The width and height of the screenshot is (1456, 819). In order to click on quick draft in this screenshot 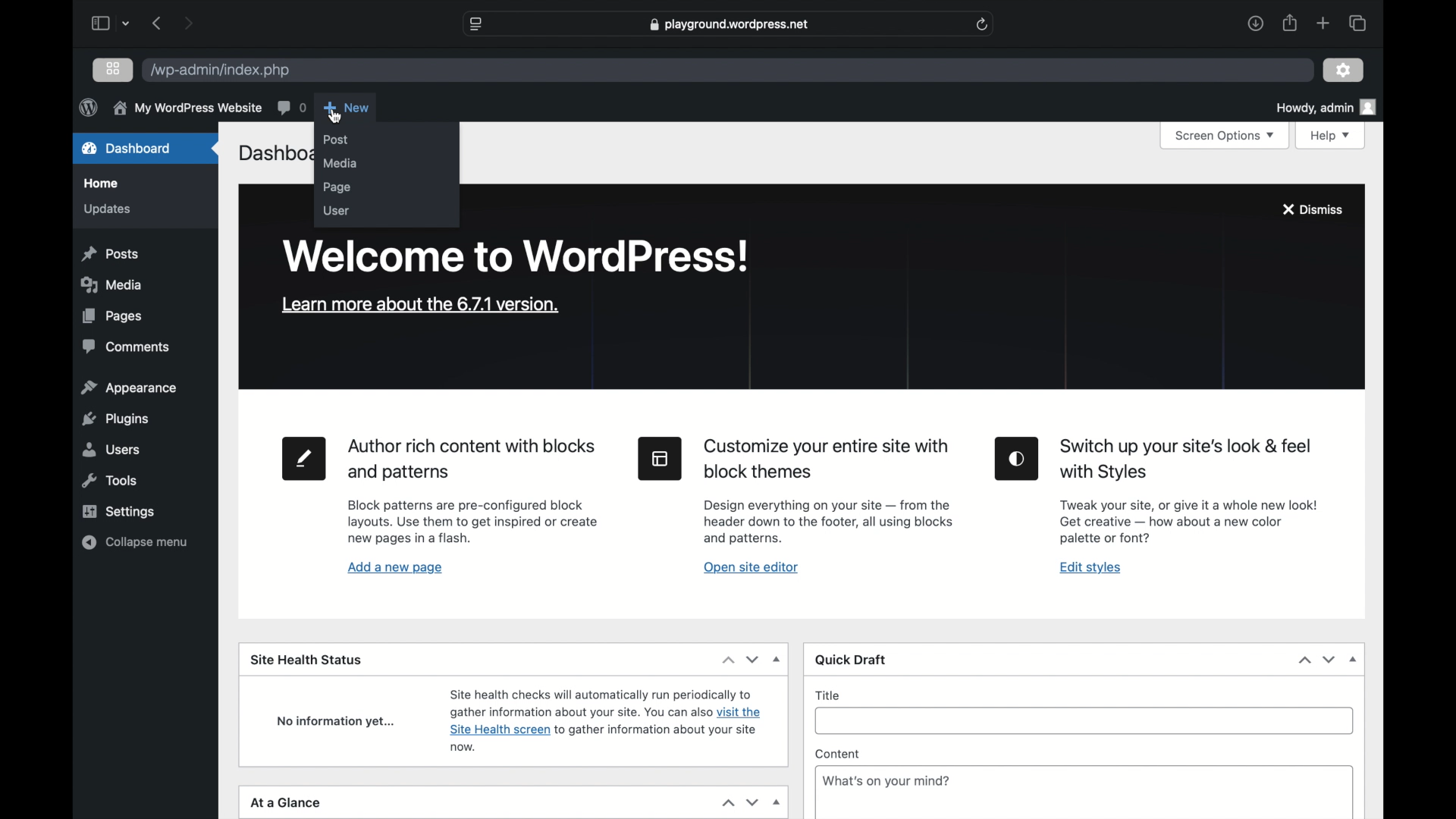, I will do `click(852, 659)`.